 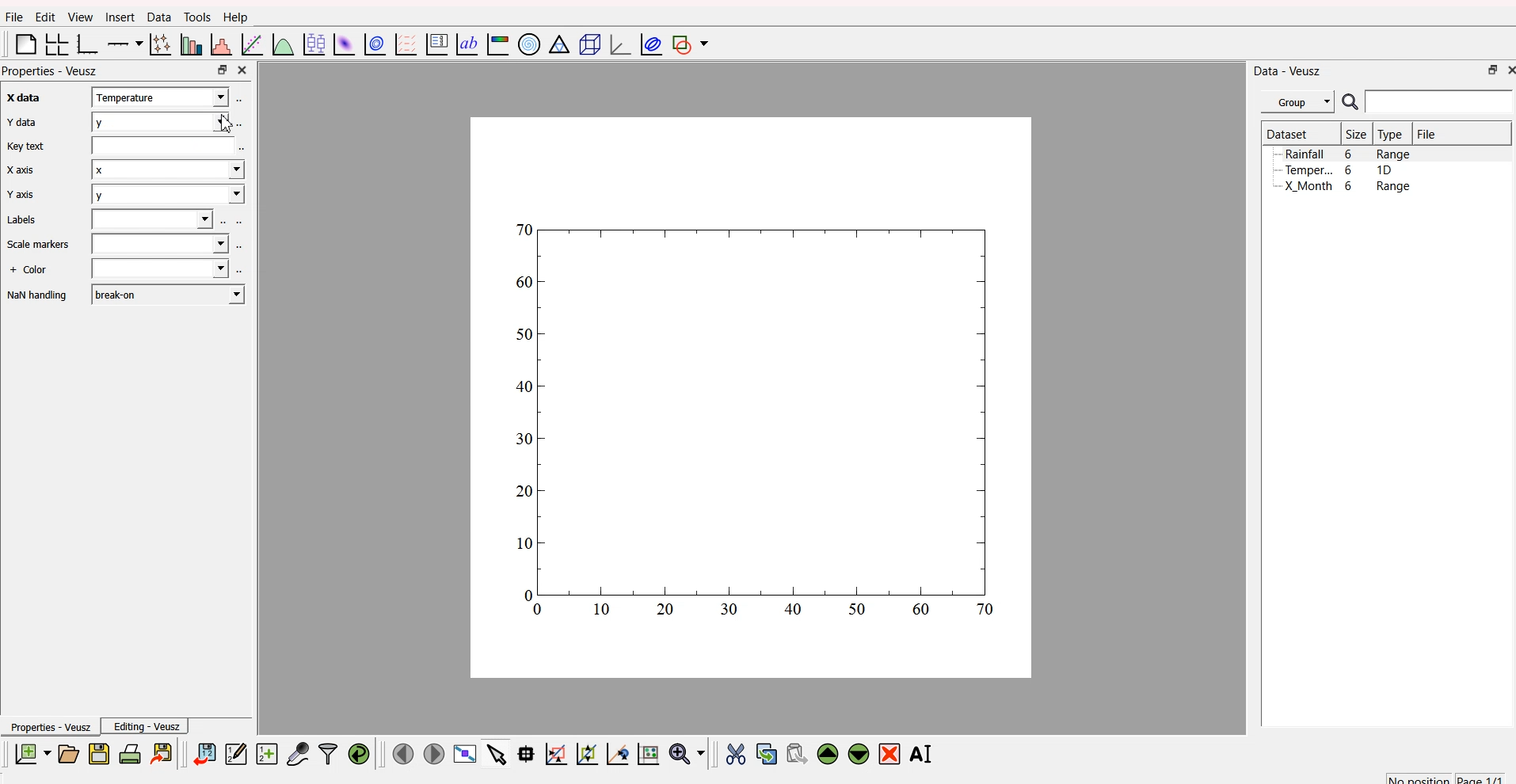 I want to click on cursor, so click(x=232, y=124).